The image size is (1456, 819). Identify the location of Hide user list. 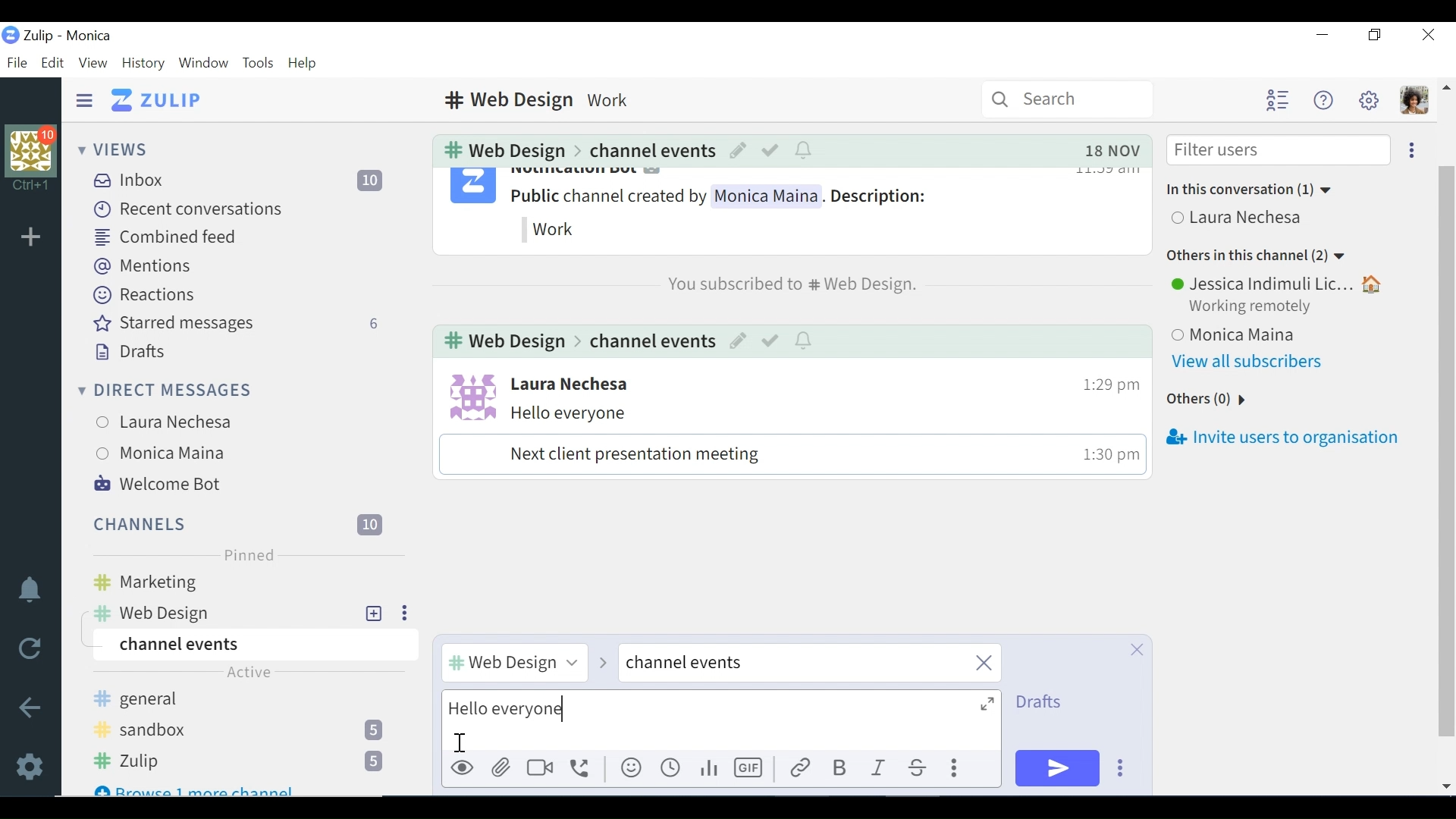
(1277, 101).